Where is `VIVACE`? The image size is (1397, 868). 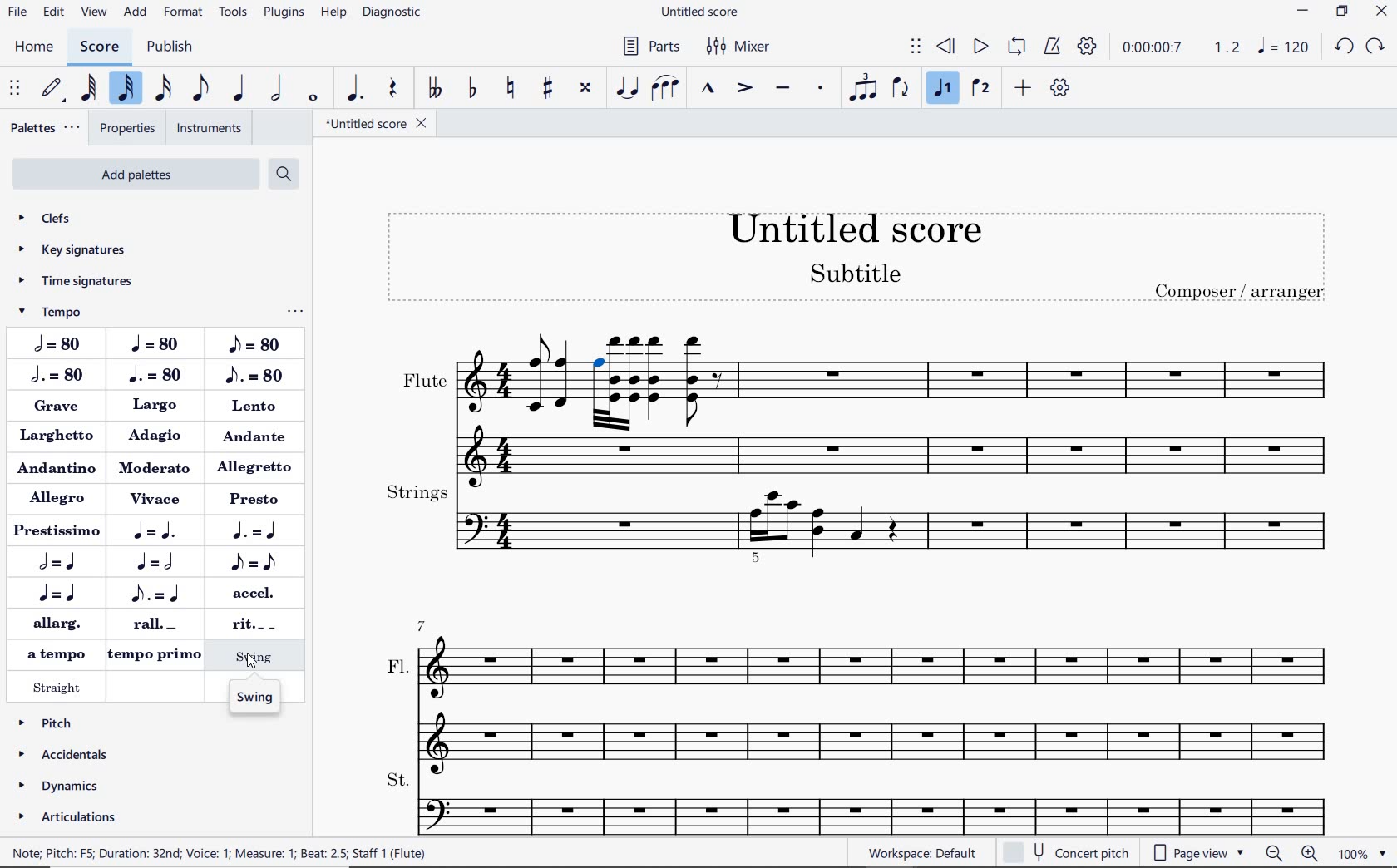 VIVACE is located at coordinates (157, 500).